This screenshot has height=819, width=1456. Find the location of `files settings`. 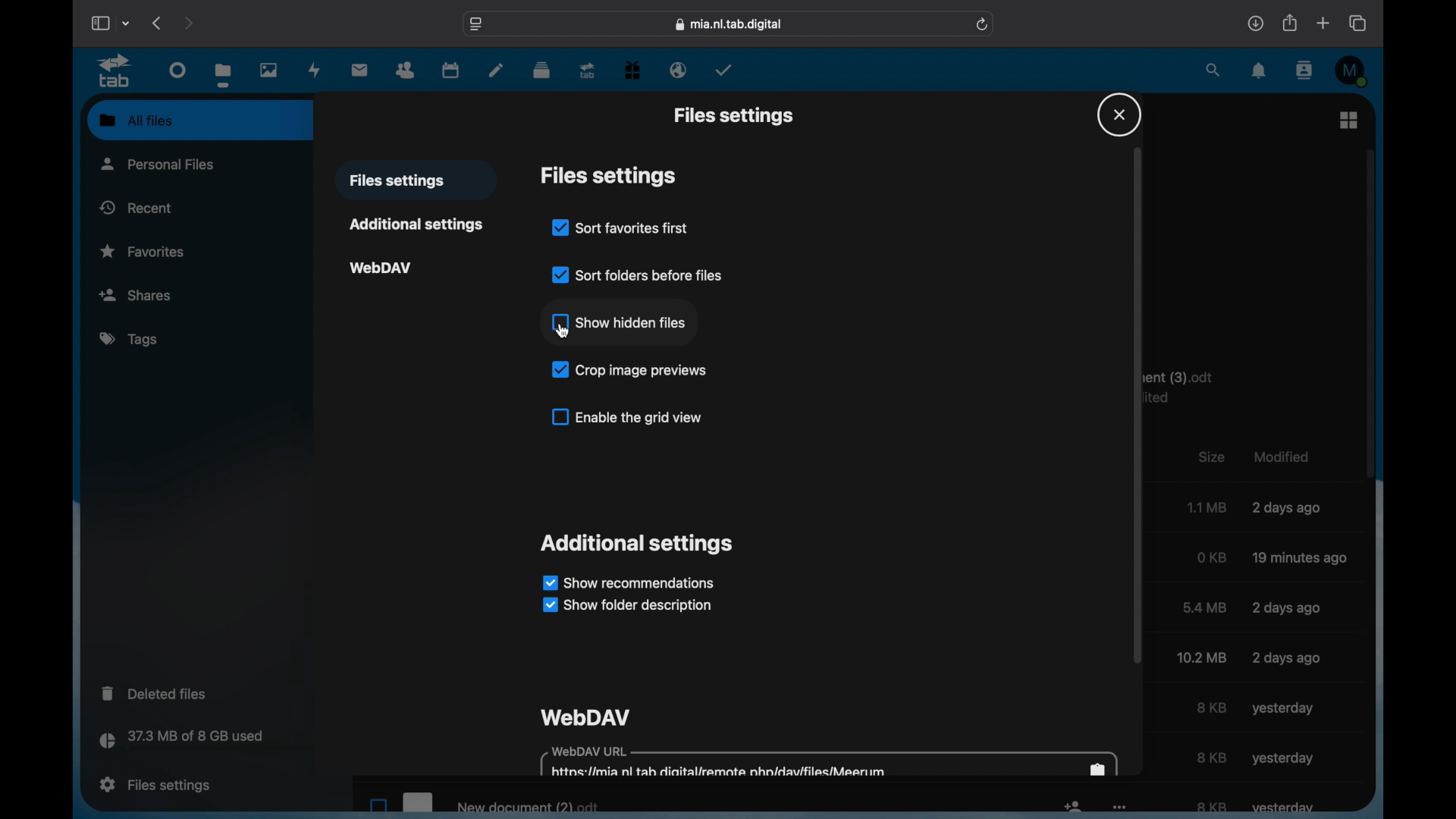

files settings is located at coordinates (397, 181).